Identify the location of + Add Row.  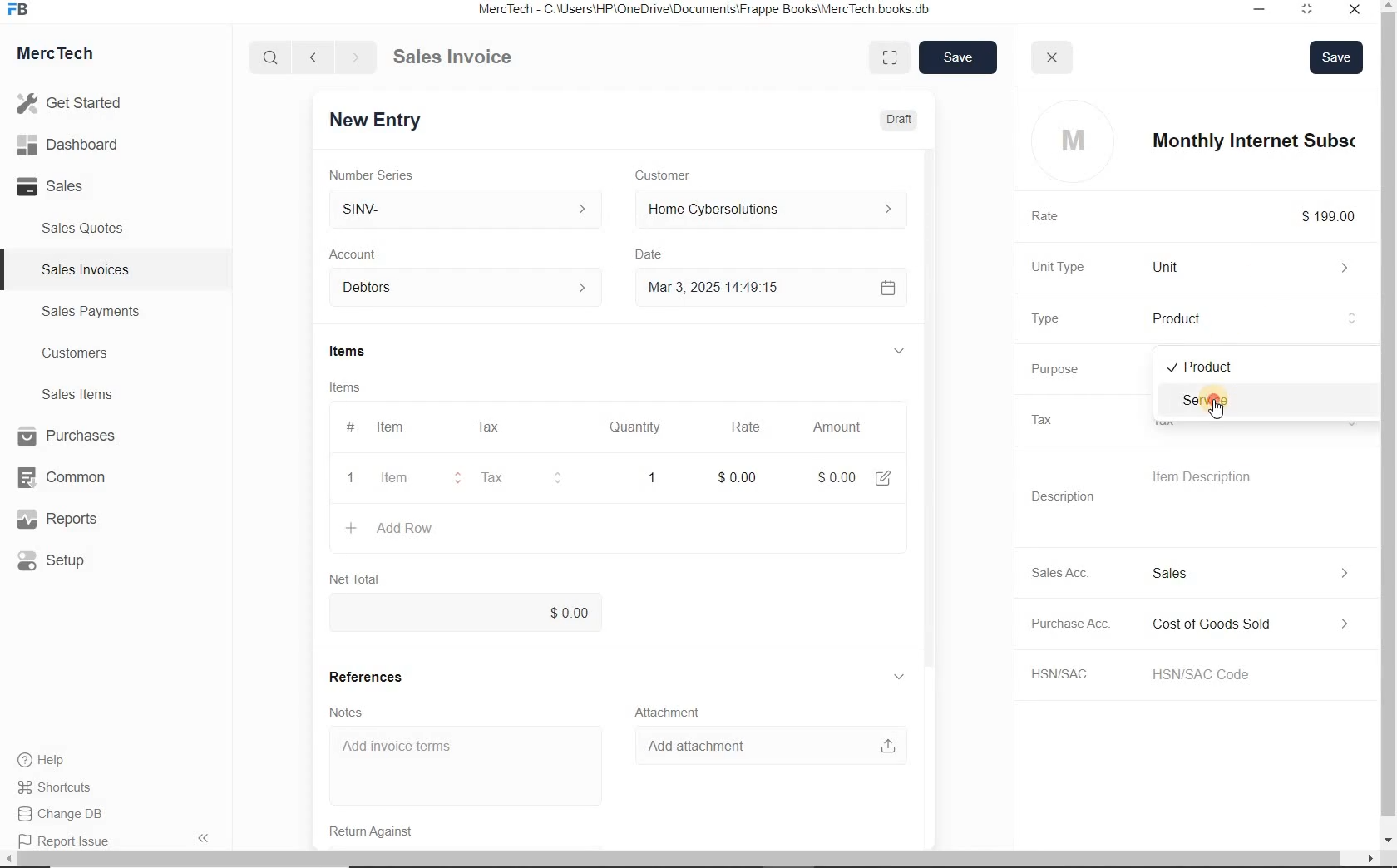
(417, 529).